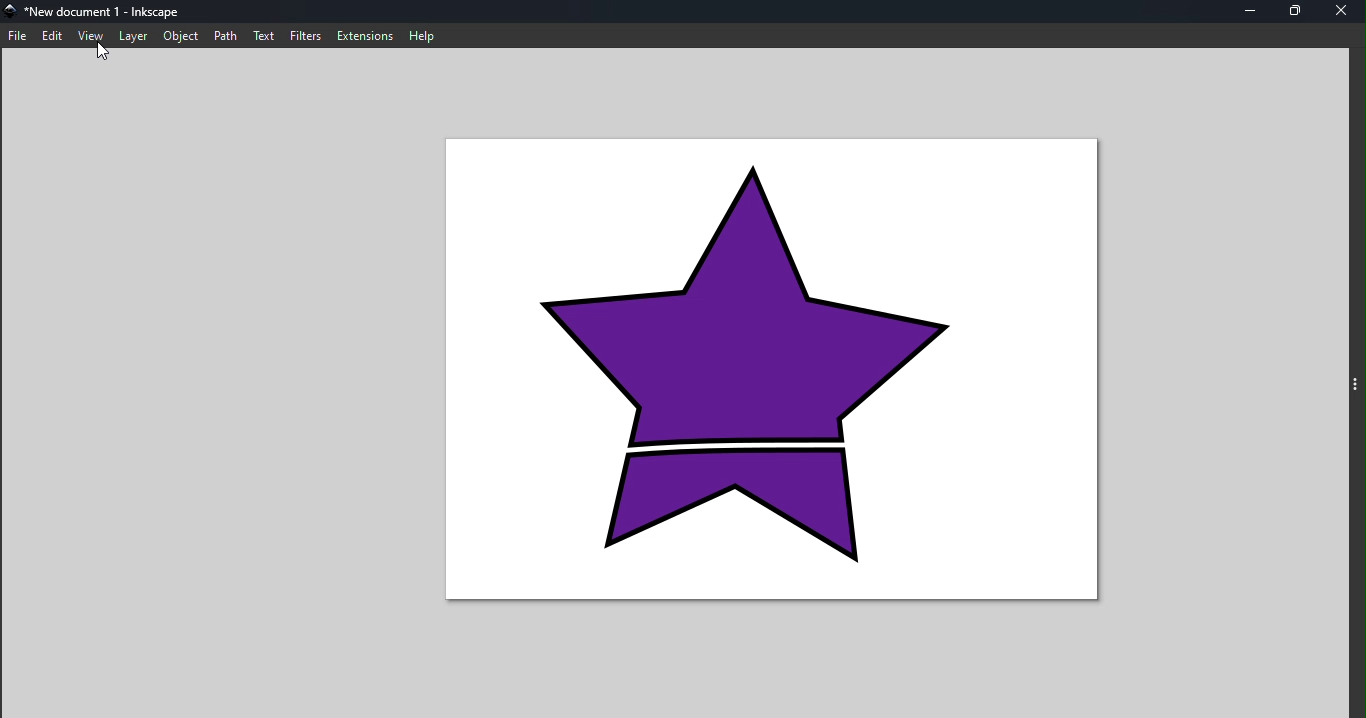 The height and width of the screenshot is (718, 1366). I want to click on File name, so click(101, 12).